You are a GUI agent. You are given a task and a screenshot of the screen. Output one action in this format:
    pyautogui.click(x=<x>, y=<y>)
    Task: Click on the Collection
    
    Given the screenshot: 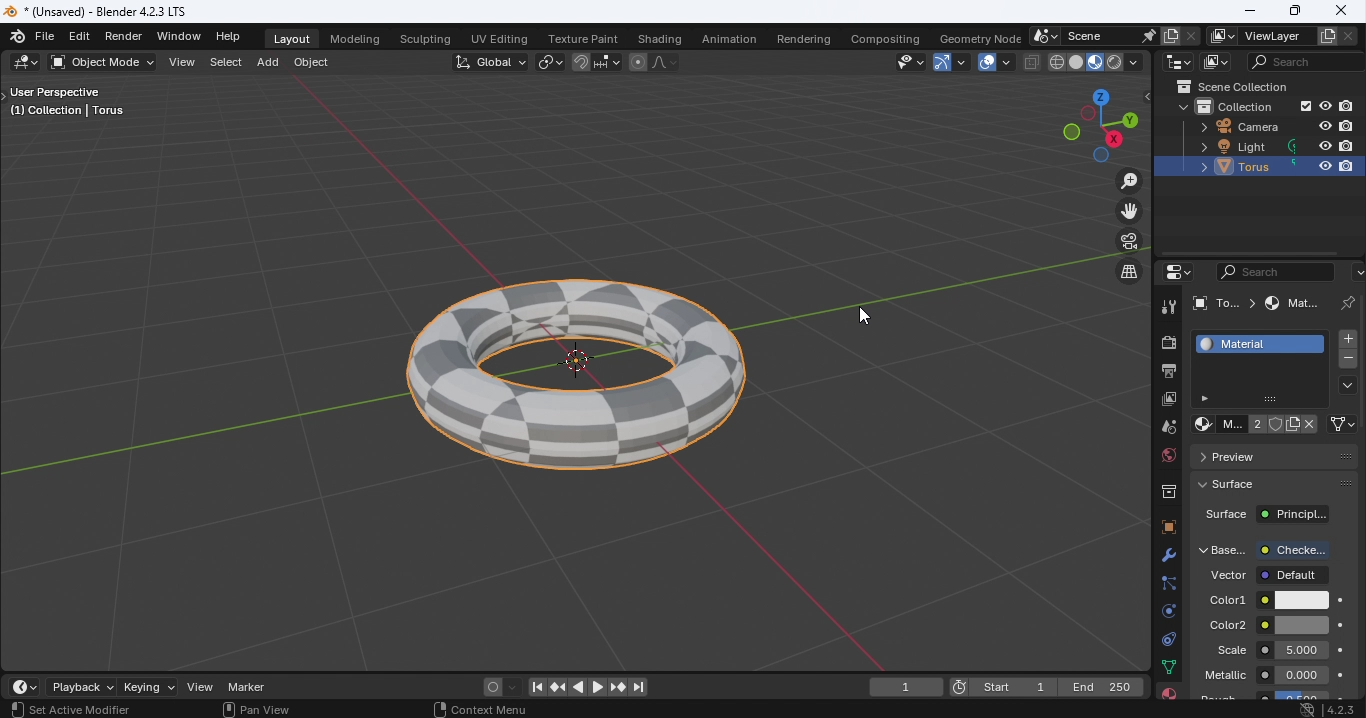 What is the action you would take?
    pyautogui.click(x=1168, y=492)
    